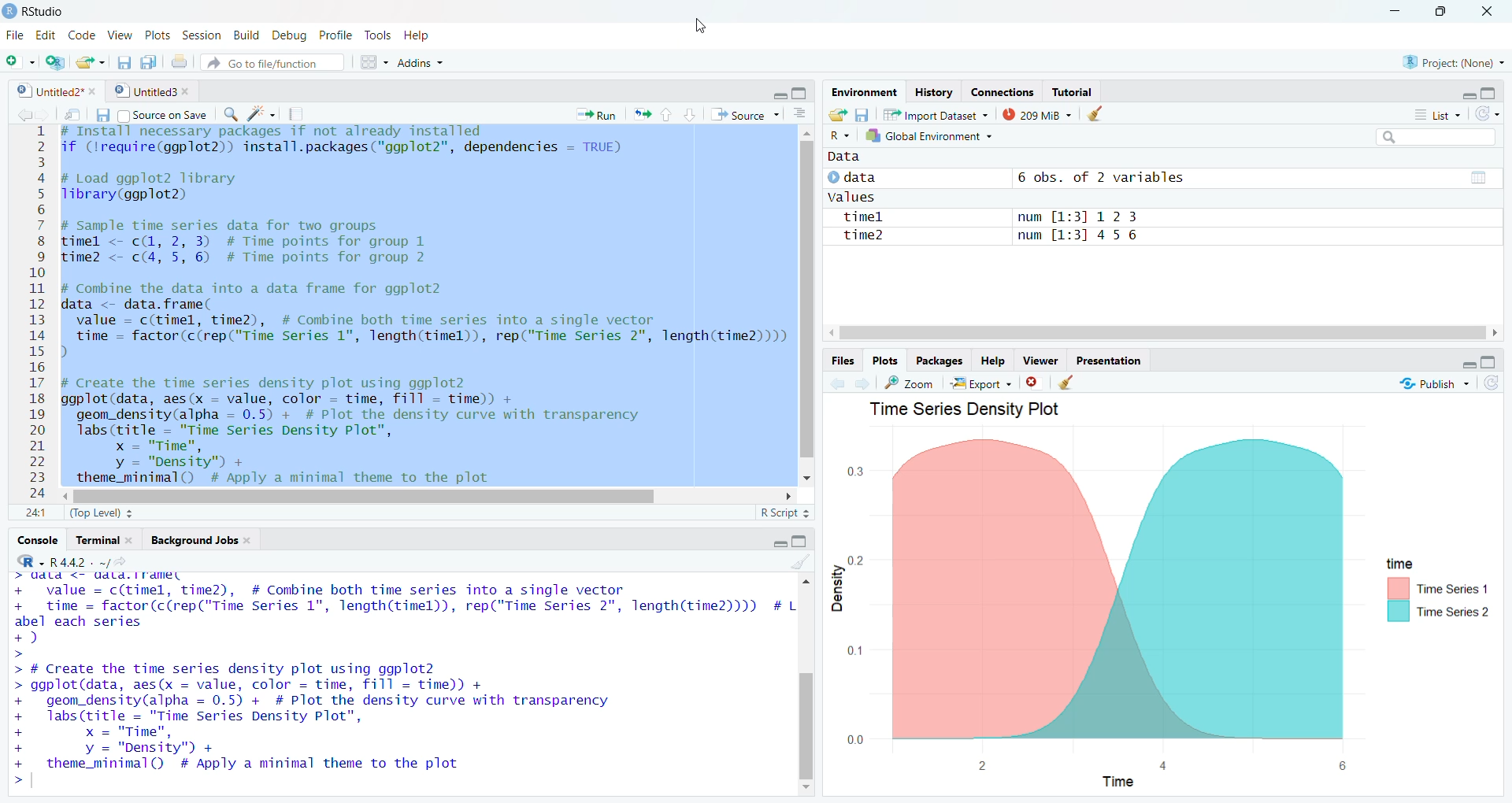 The image size is (1512, 803). What do you see at coordinates (859, 385) in the screenshot?
I see `Next` at bounding box center [859, 385].